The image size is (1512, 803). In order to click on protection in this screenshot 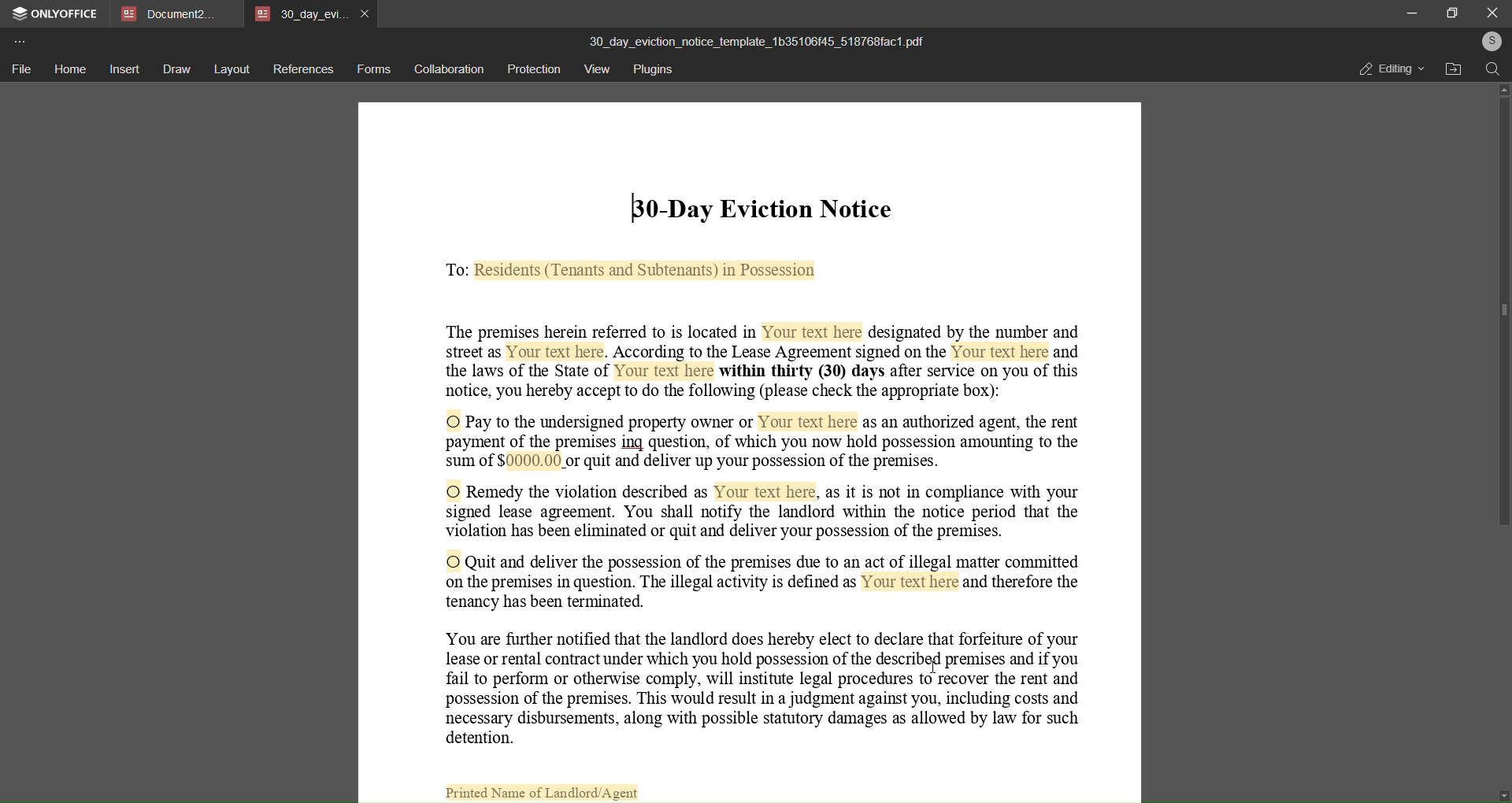, I will do `click(532, 69)`.